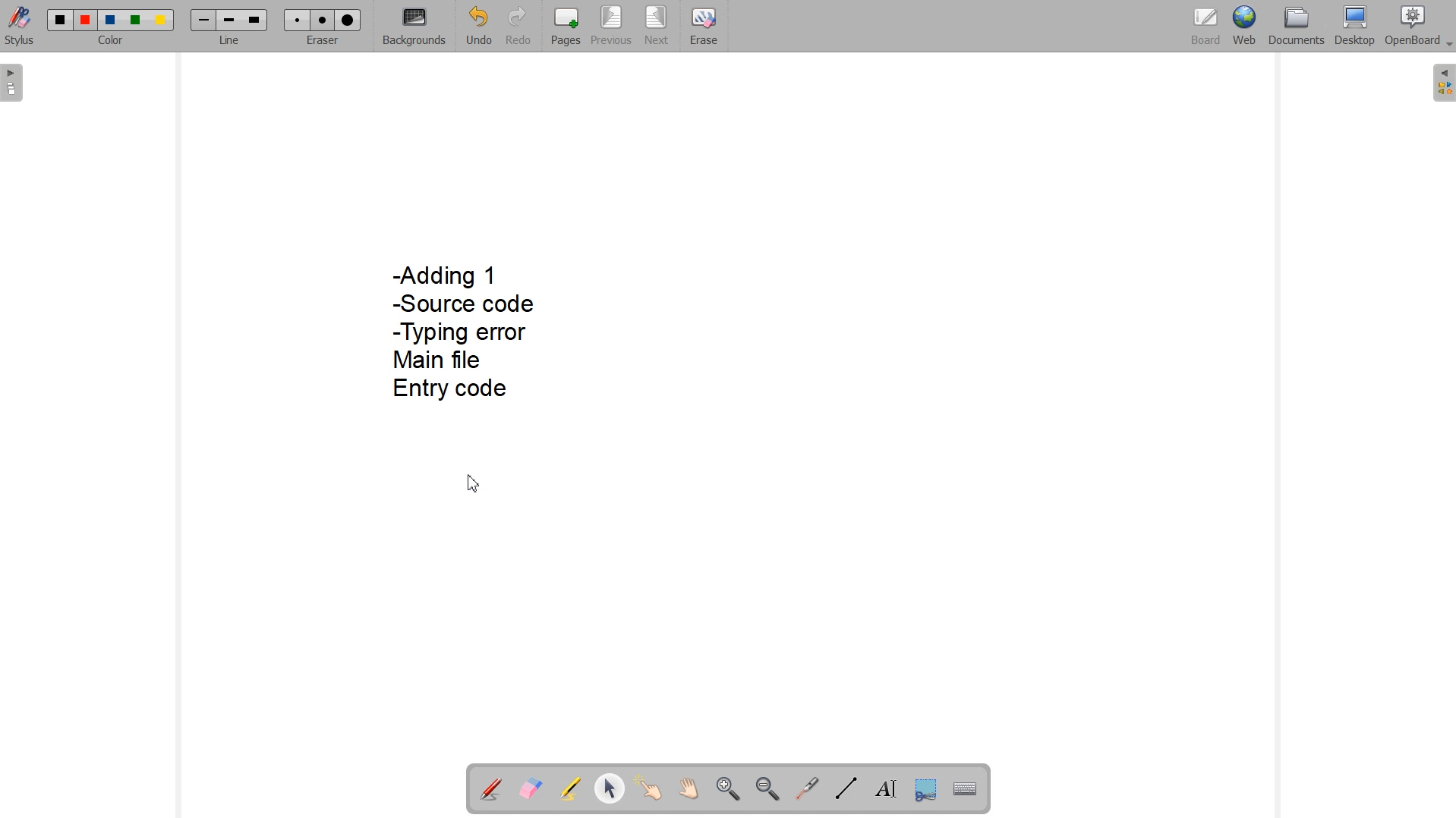  I want to click on Large eraser, so click(348, 20).